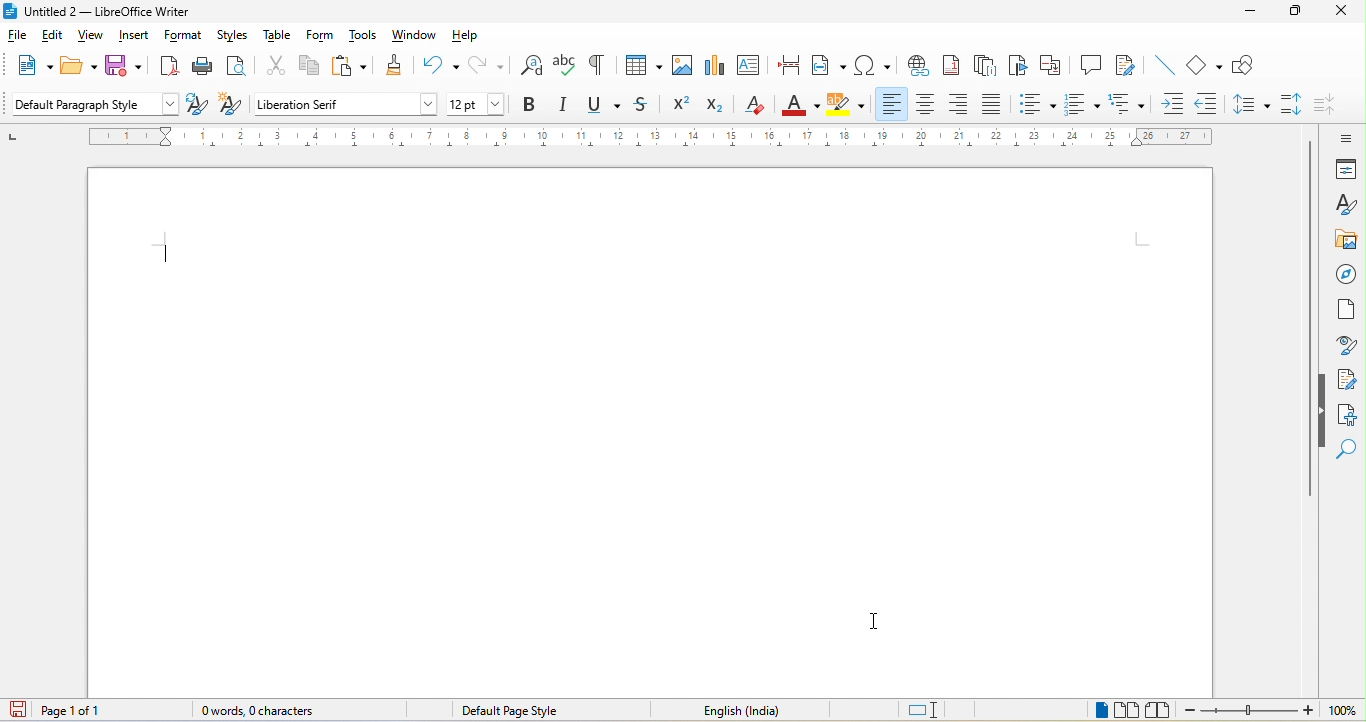  What do you see at coordinates (1210, 104) in the screenshot?
I see `decrease indent` at bounding box center [1210, 104].